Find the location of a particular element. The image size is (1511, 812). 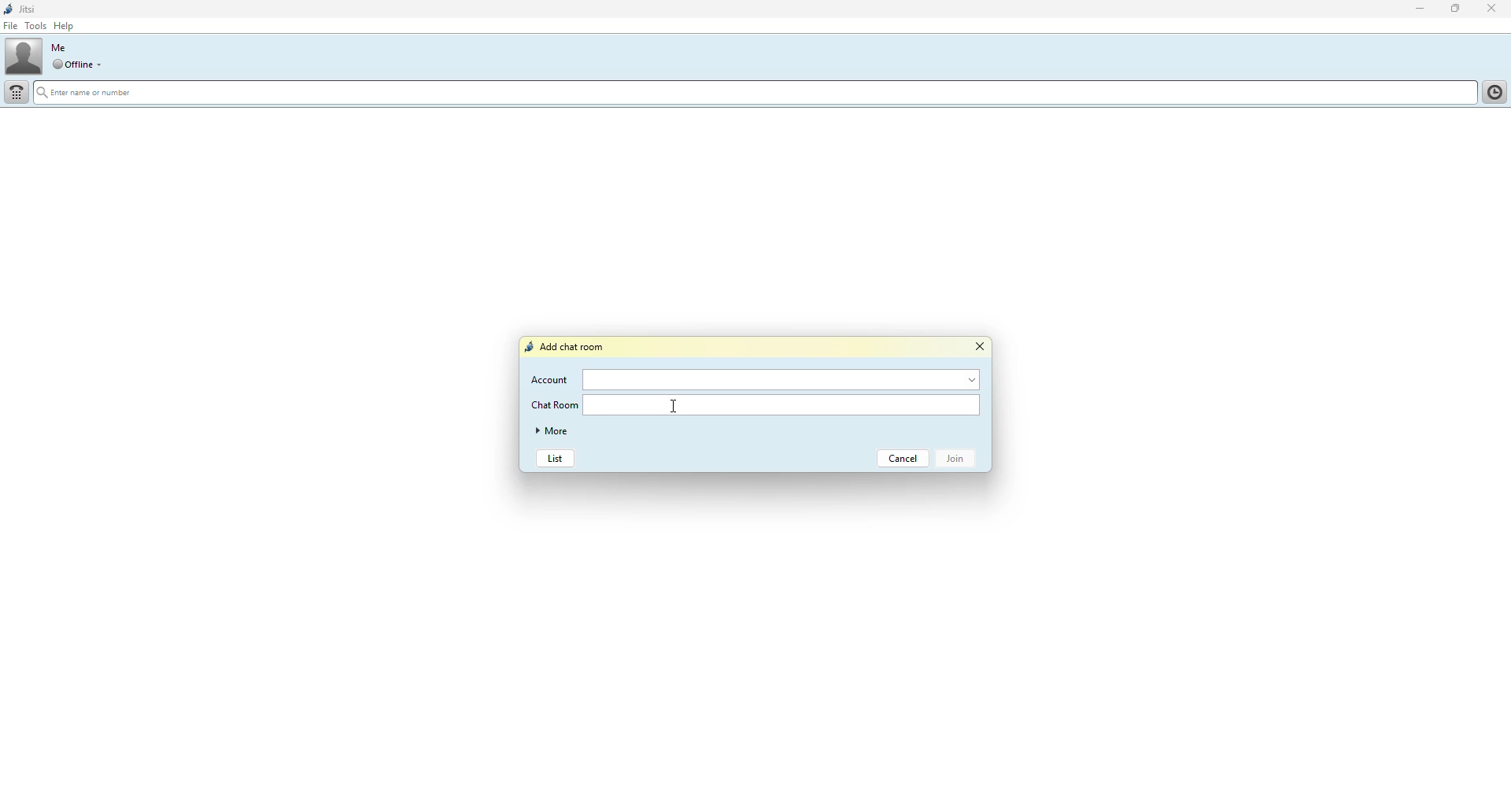

chat room is located at coordinates (556, 405).